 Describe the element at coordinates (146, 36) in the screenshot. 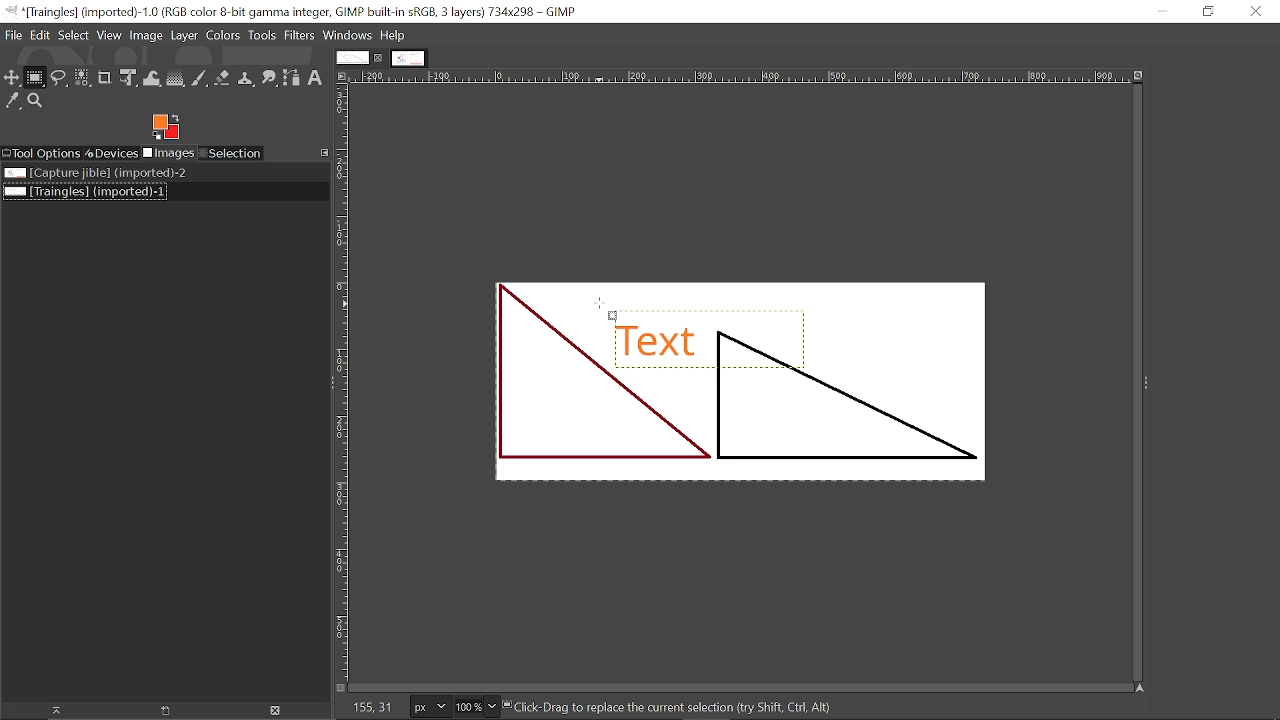

I see `Image` at that location.